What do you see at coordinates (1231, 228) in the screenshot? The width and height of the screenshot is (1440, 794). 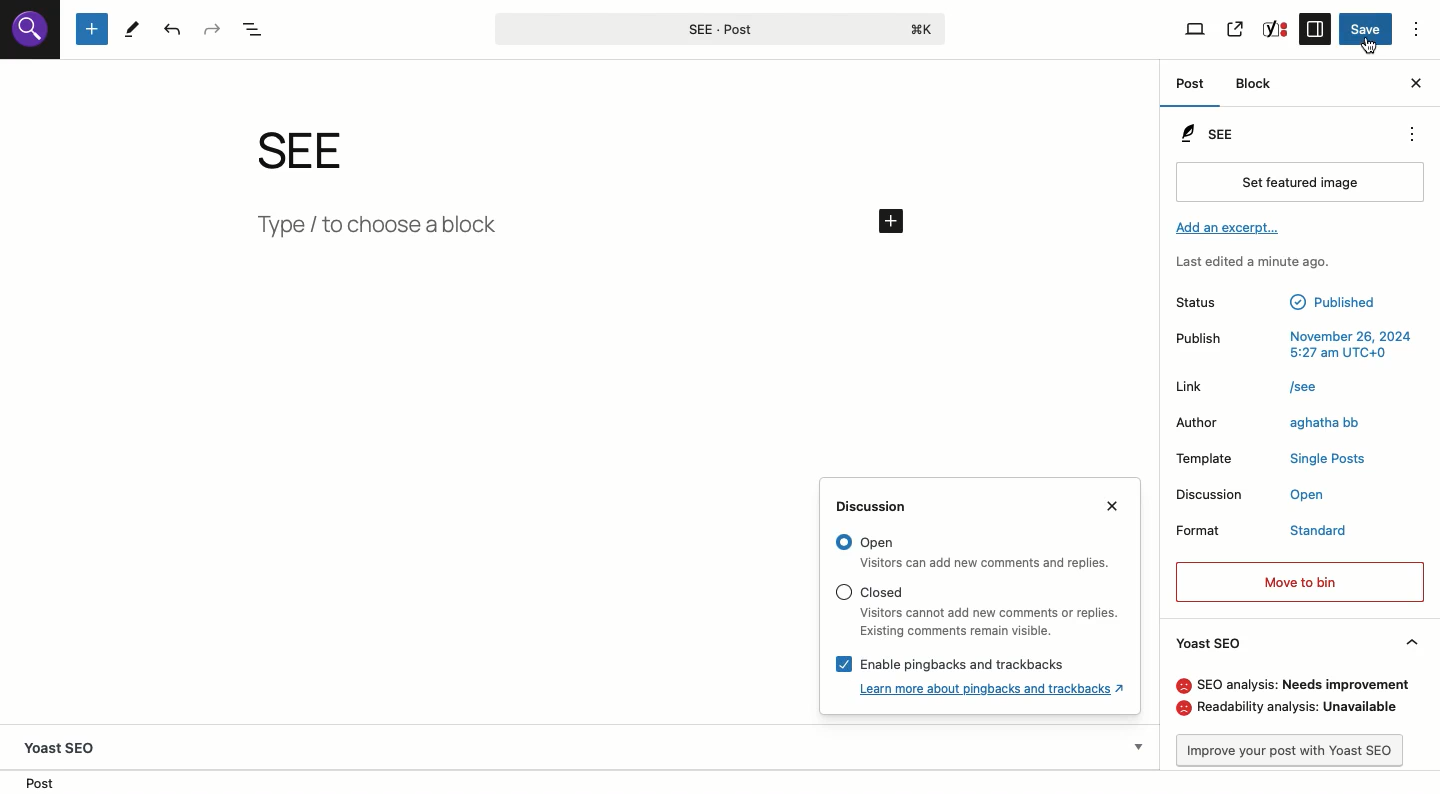 I see `Add an excerpt` at bounding box center [1231, 228].